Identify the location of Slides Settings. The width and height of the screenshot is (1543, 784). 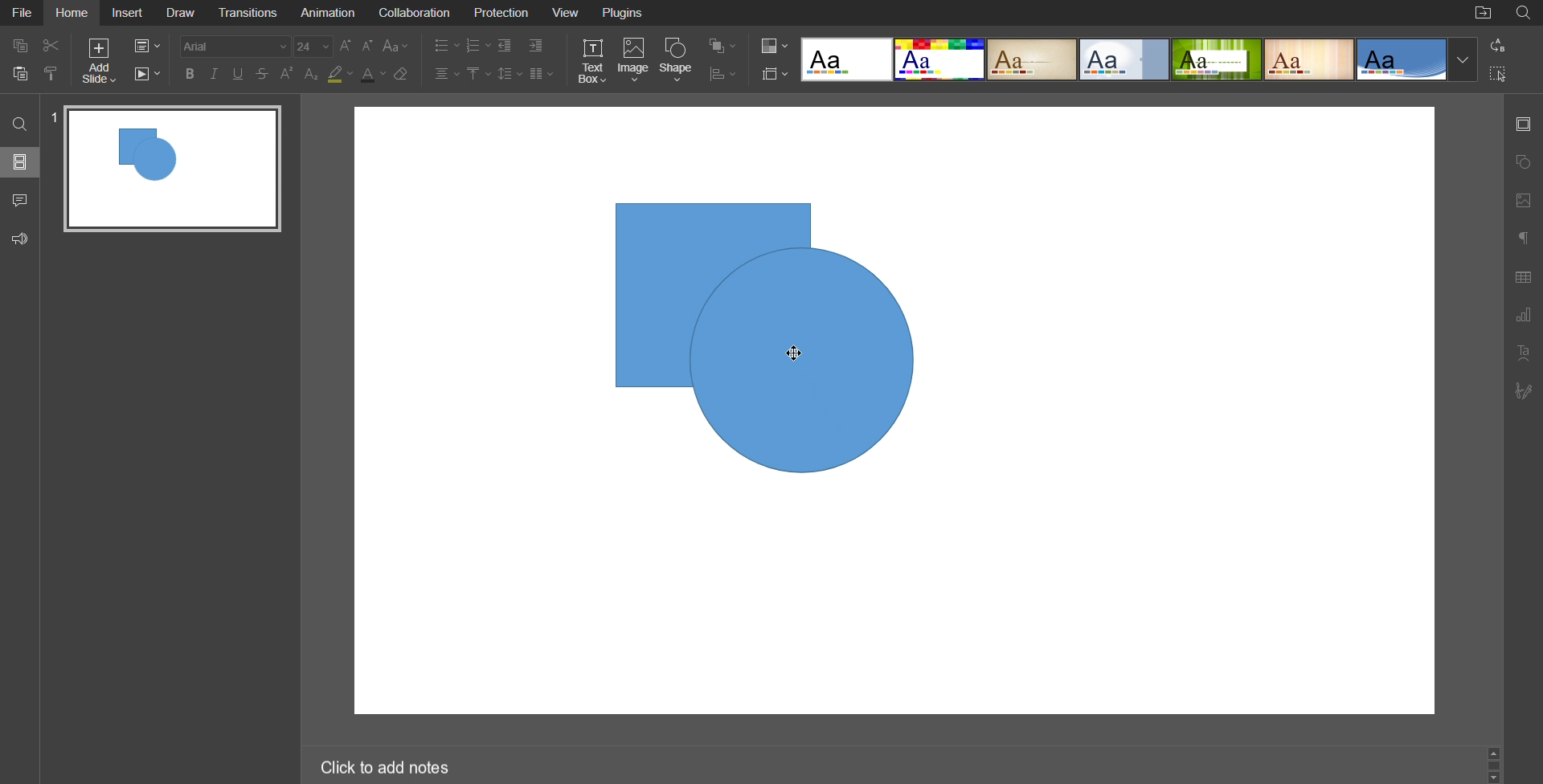
(1525, 125).